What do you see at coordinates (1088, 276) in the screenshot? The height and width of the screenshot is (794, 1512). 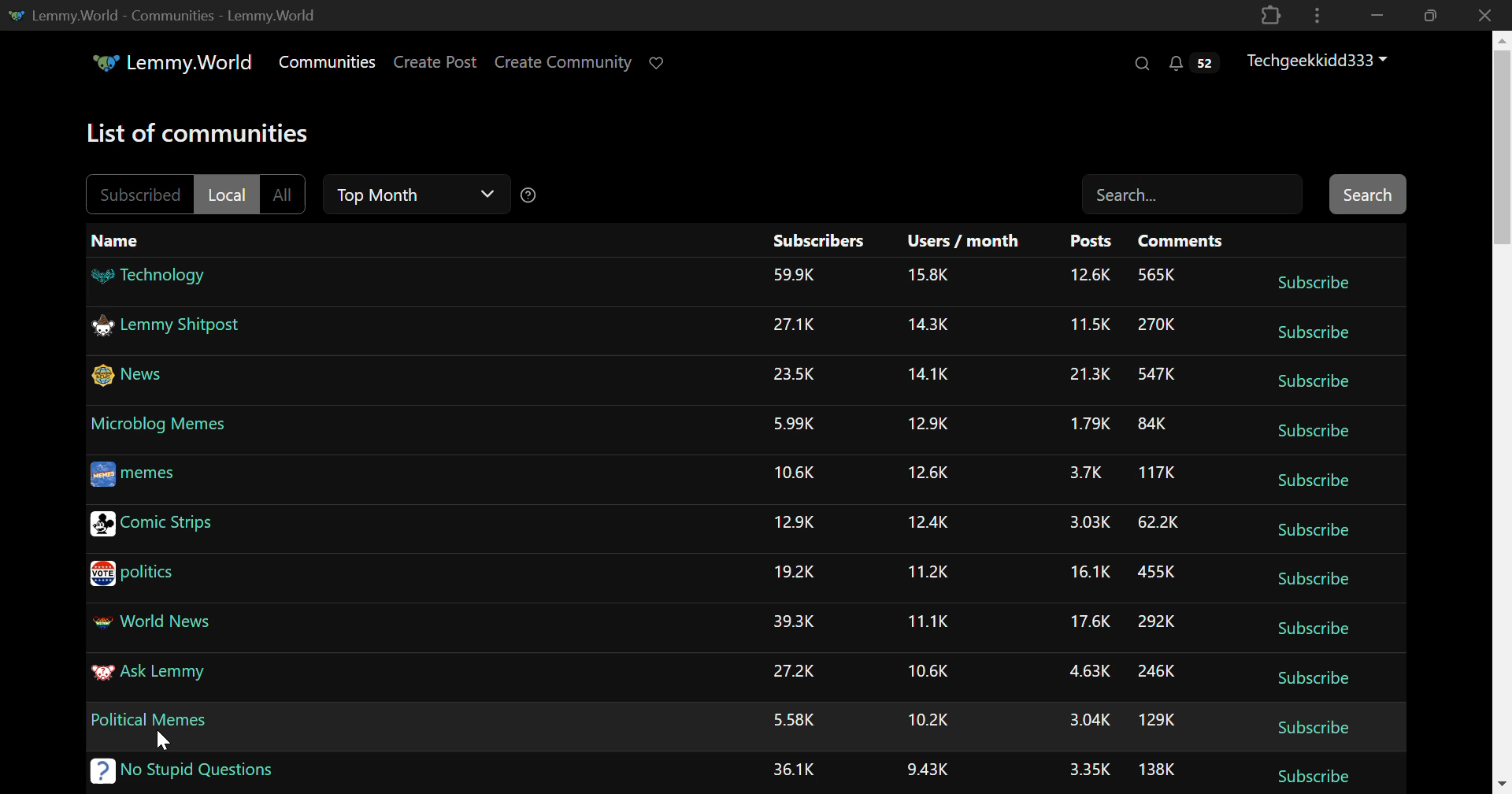 I see `Amount` at bounding box center [1088, 276].